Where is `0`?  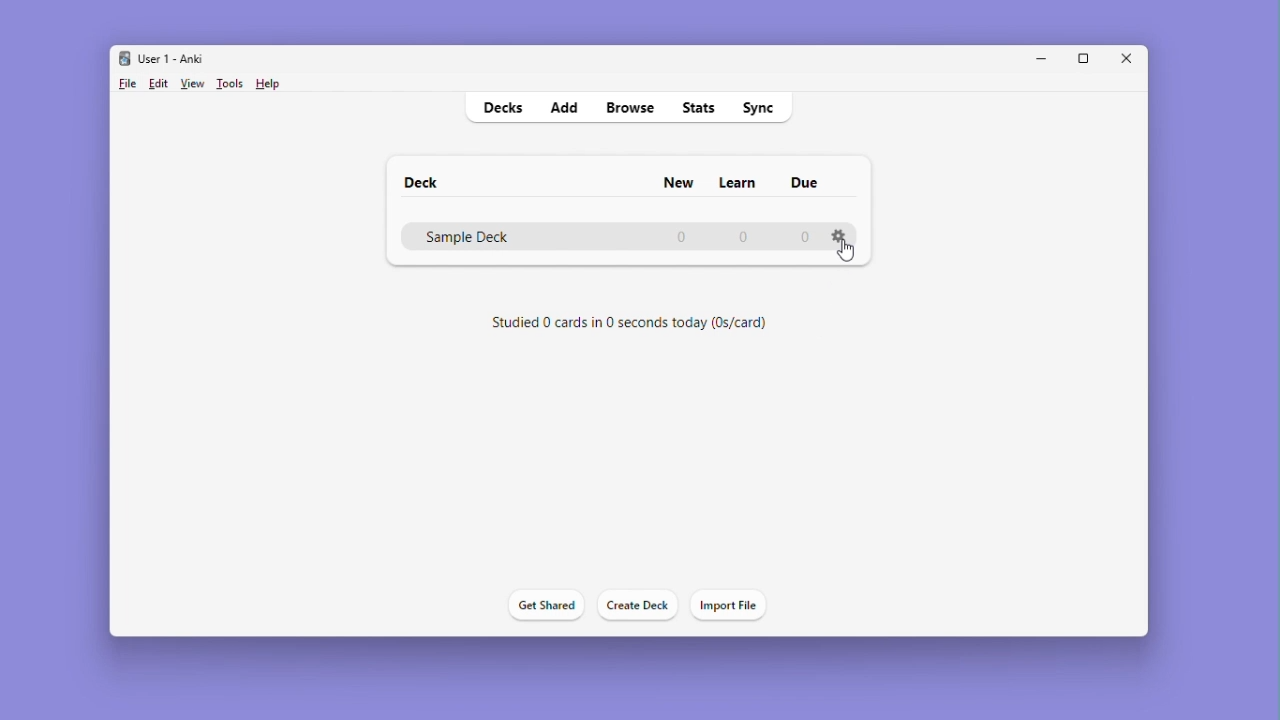
0 is located at coordinates (741, 237).